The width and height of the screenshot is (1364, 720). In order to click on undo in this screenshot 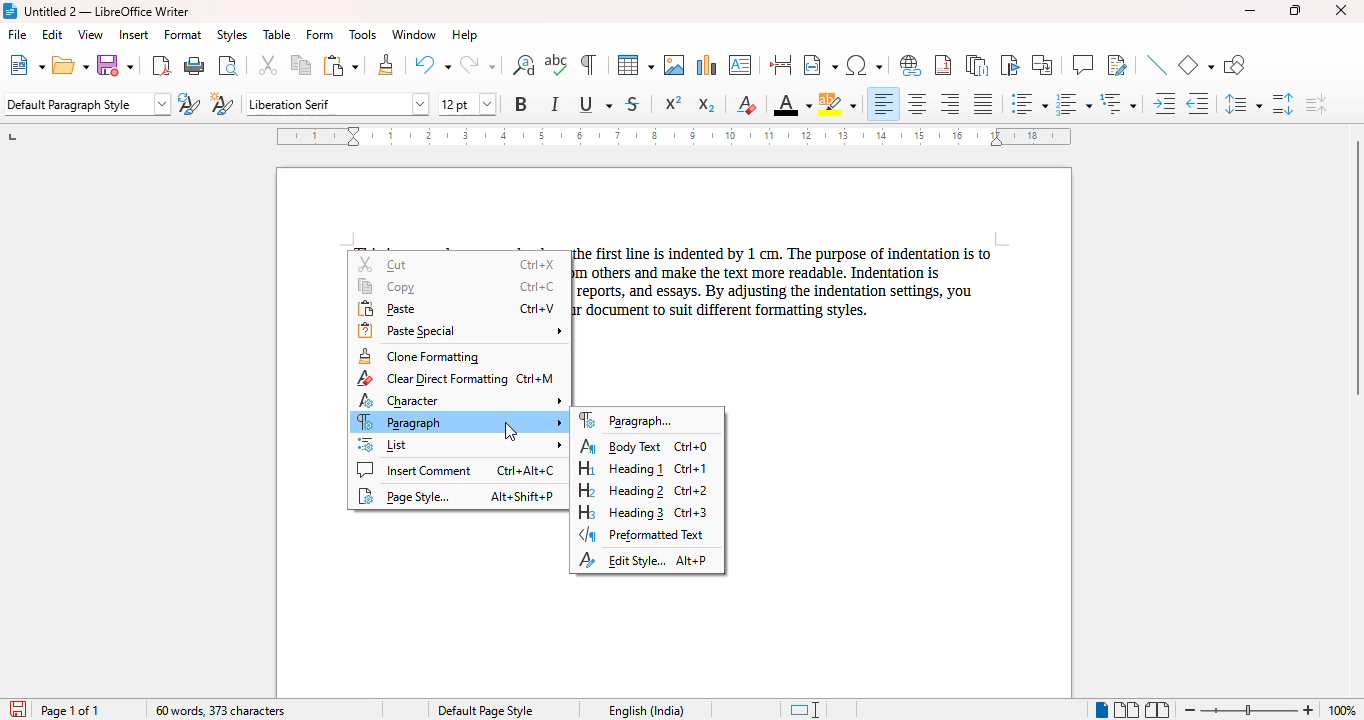, I will do `click(432, 64)`.